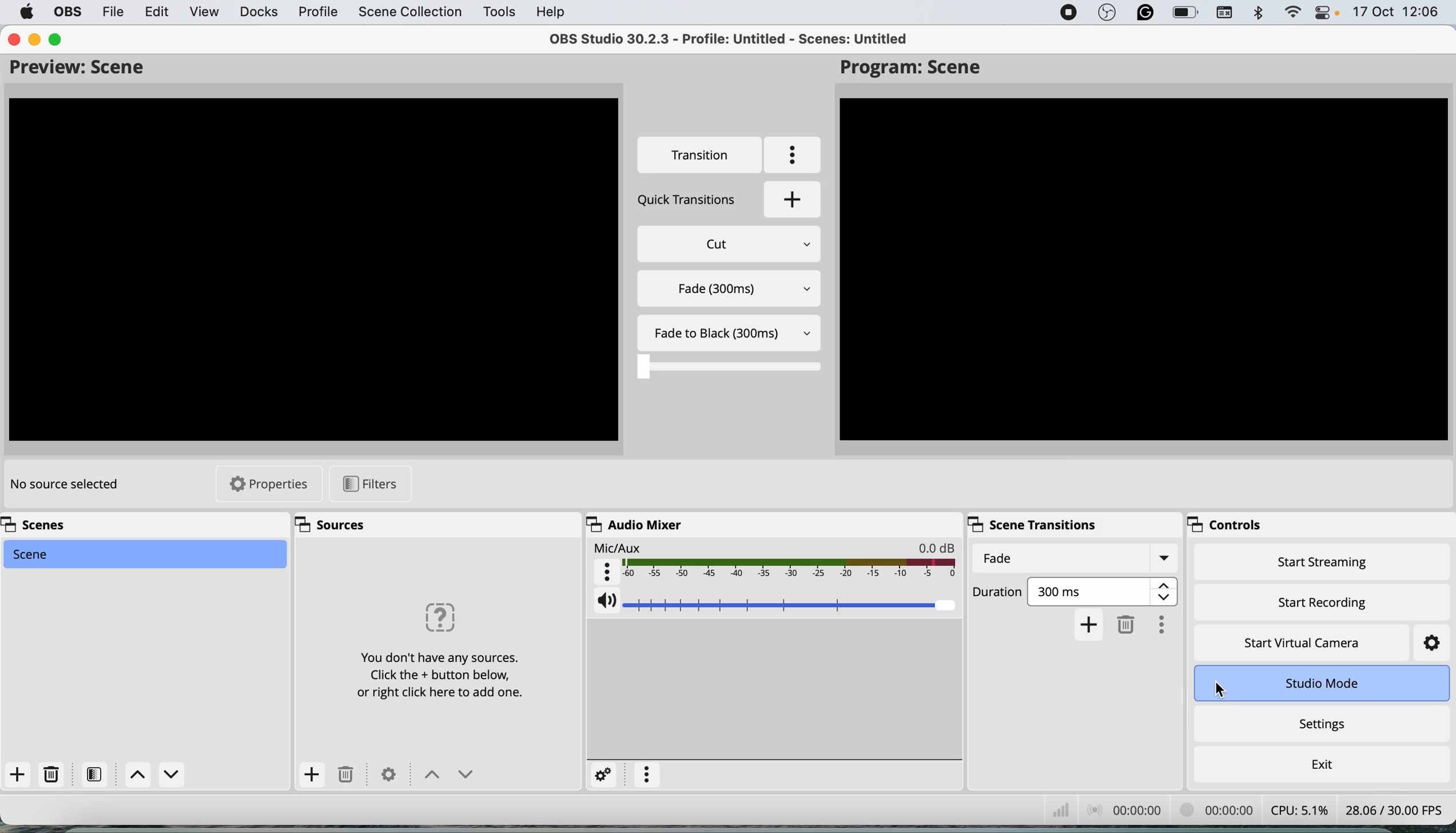  What do you see at coordinates (728, 370) in the screenshot?
I see `transition timer bar` at bounding box center [728, 370].